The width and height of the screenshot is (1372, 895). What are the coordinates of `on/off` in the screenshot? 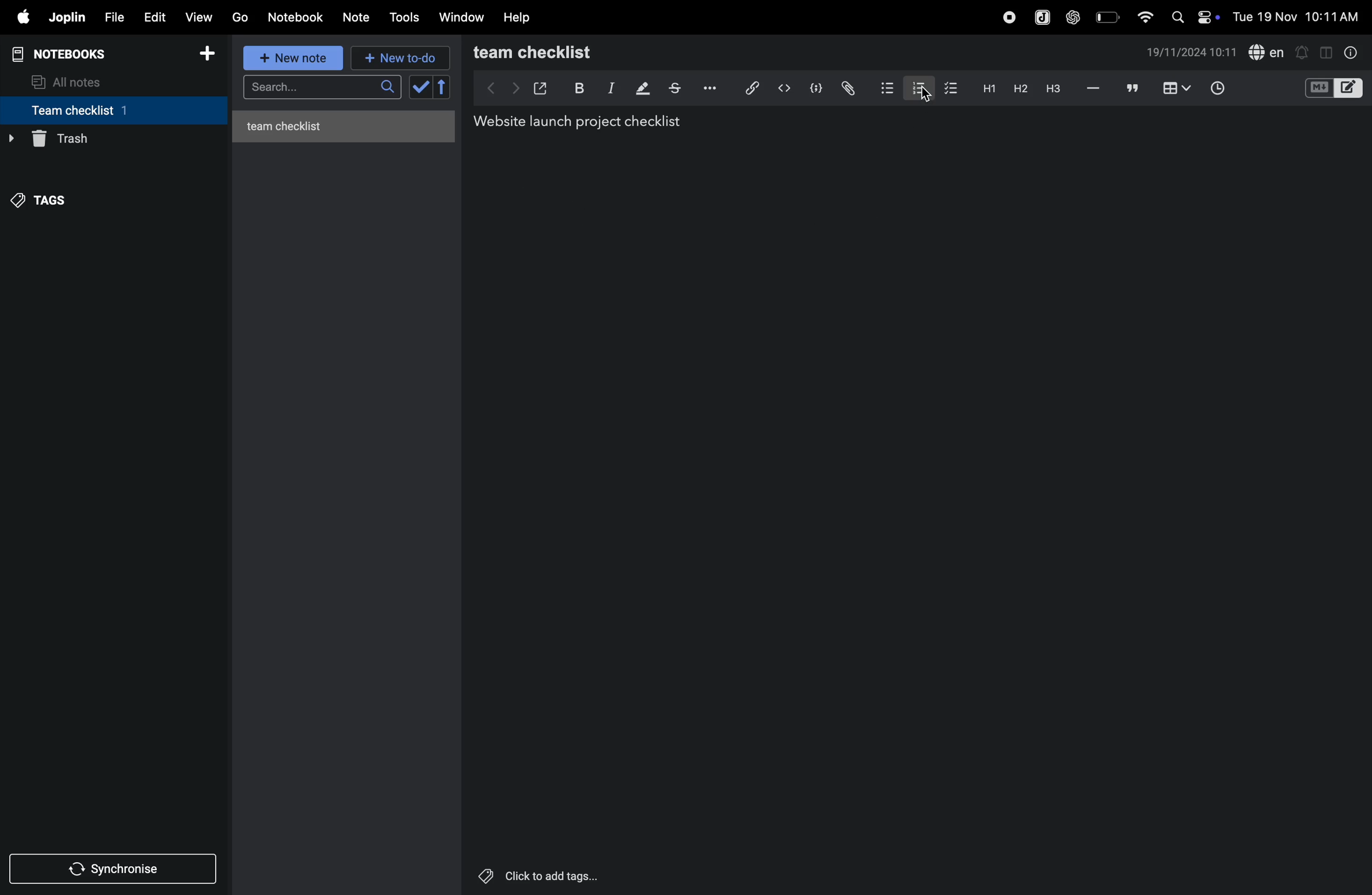 It's located at (1211, 17).